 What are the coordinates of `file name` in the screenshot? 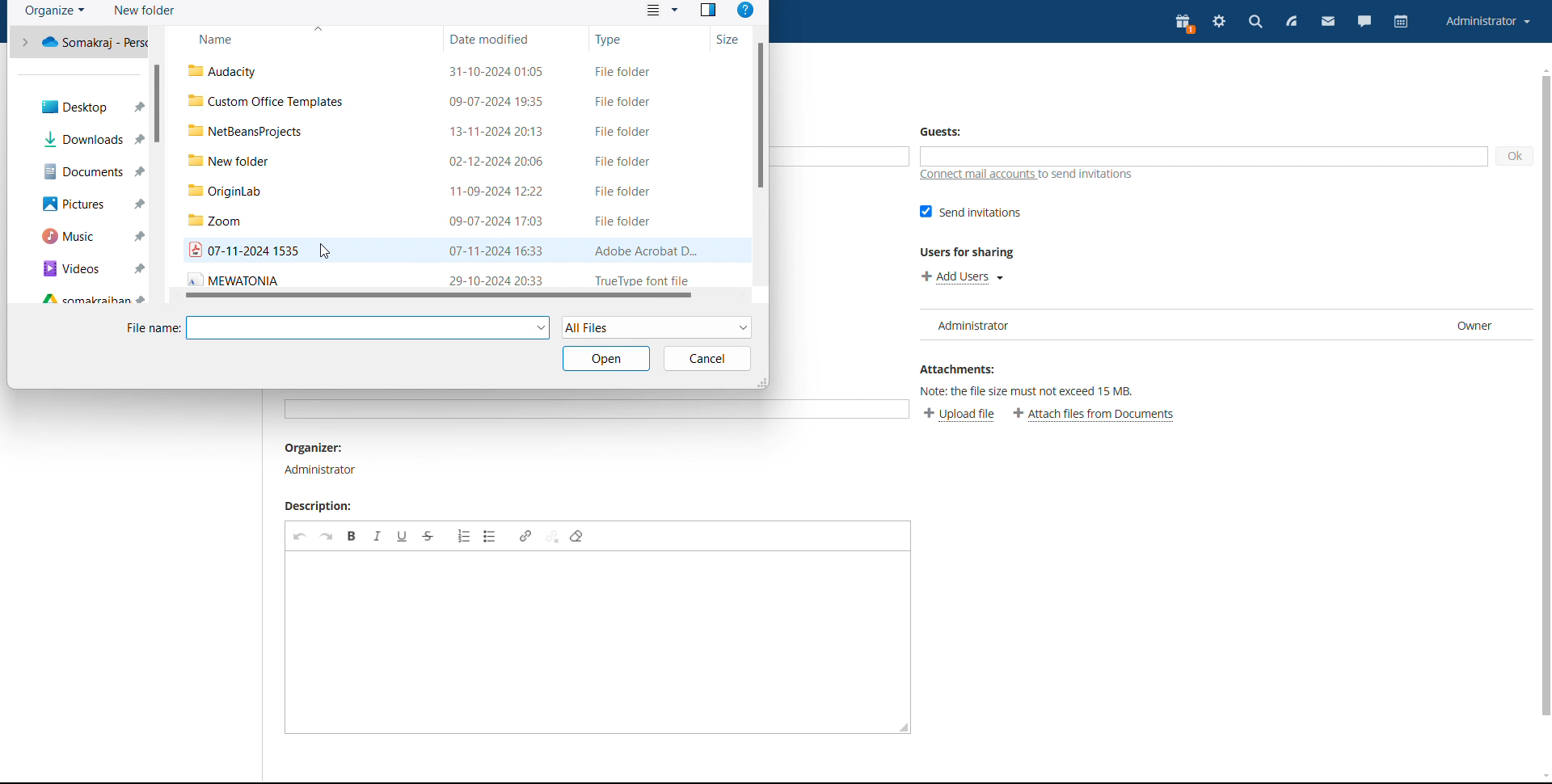 It's located at (154, 327).